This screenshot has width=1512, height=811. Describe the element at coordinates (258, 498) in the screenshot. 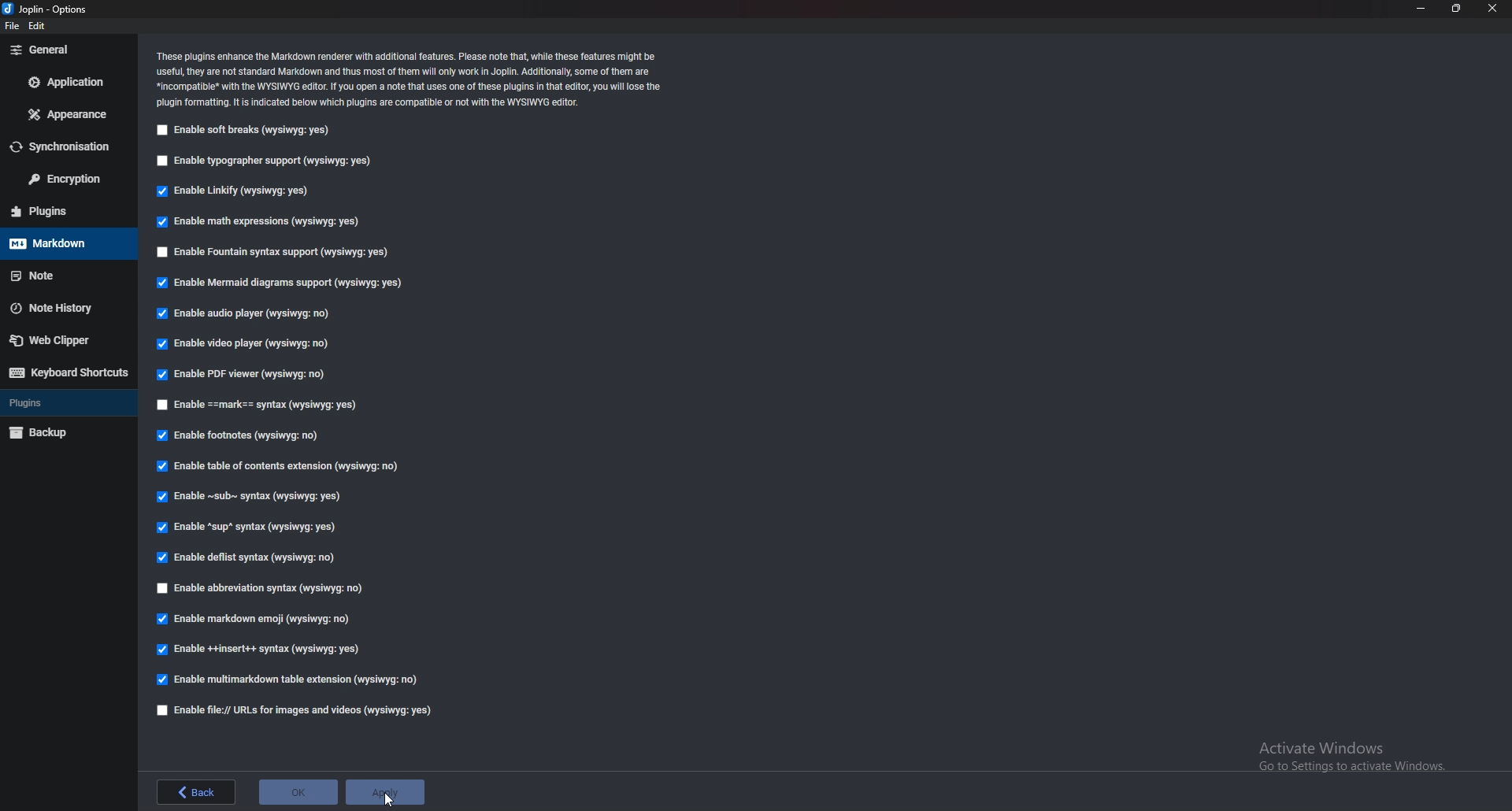

I see `enable Sub Syntax` at that location.